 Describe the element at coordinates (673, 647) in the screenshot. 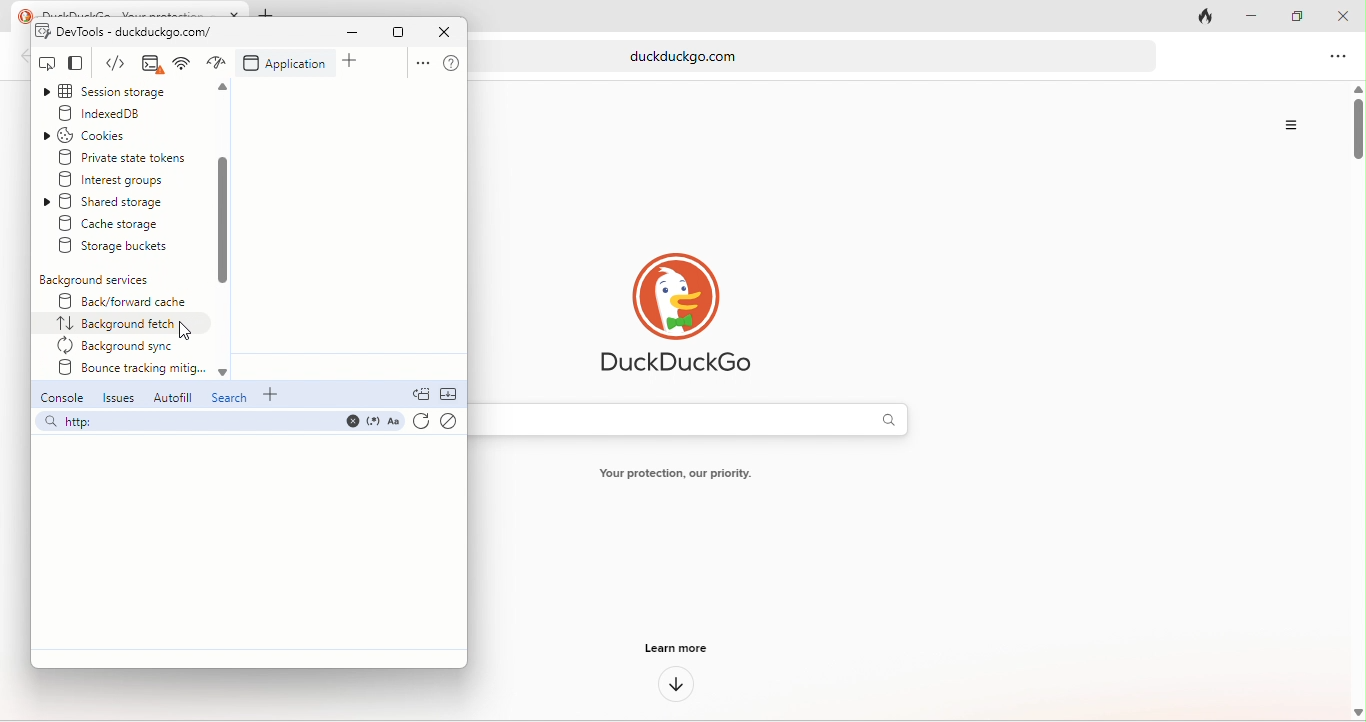

I see `learn more` at that location.